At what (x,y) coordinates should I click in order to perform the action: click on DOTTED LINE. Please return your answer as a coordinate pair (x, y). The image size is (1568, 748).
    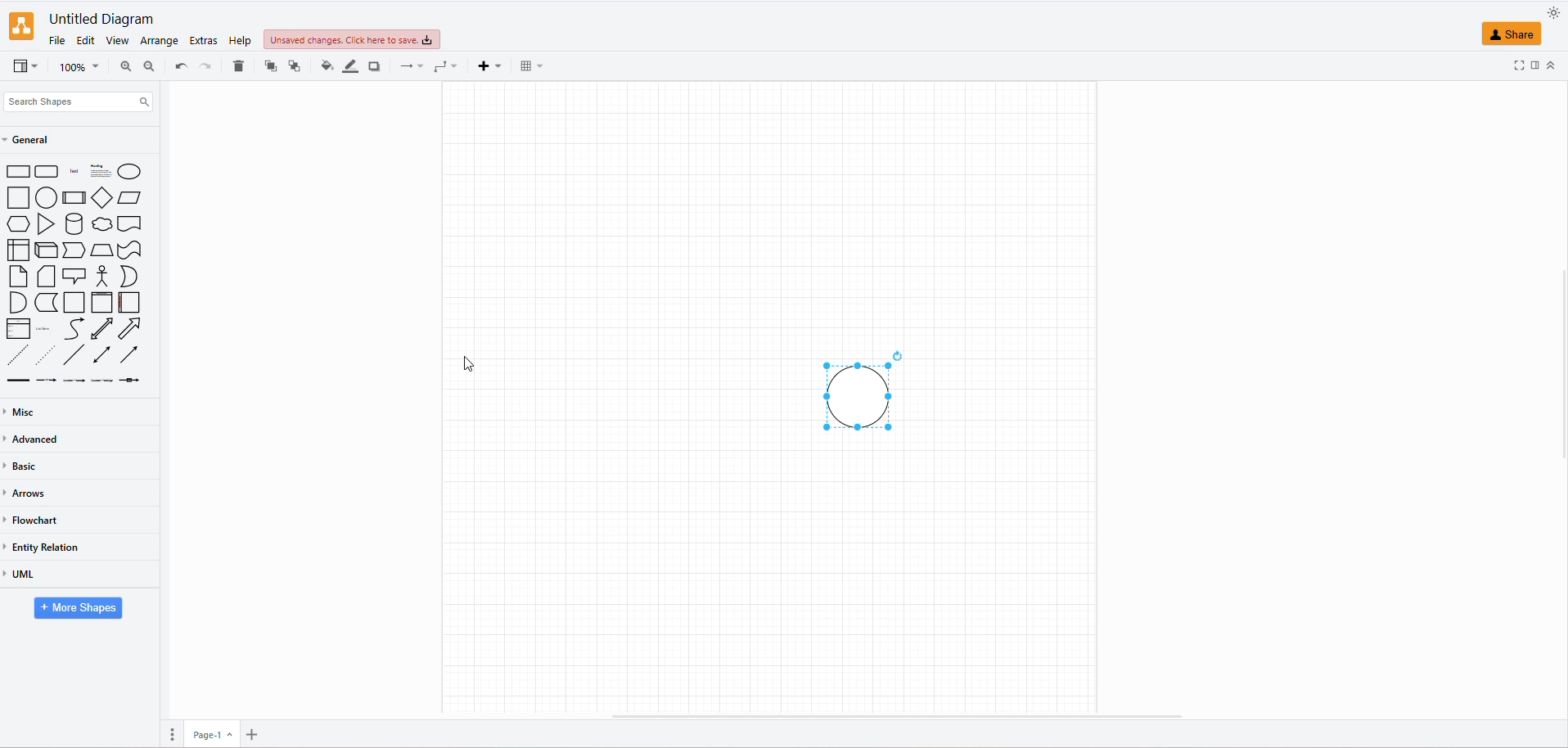
    Looking at the image, I should click on (42, 353).